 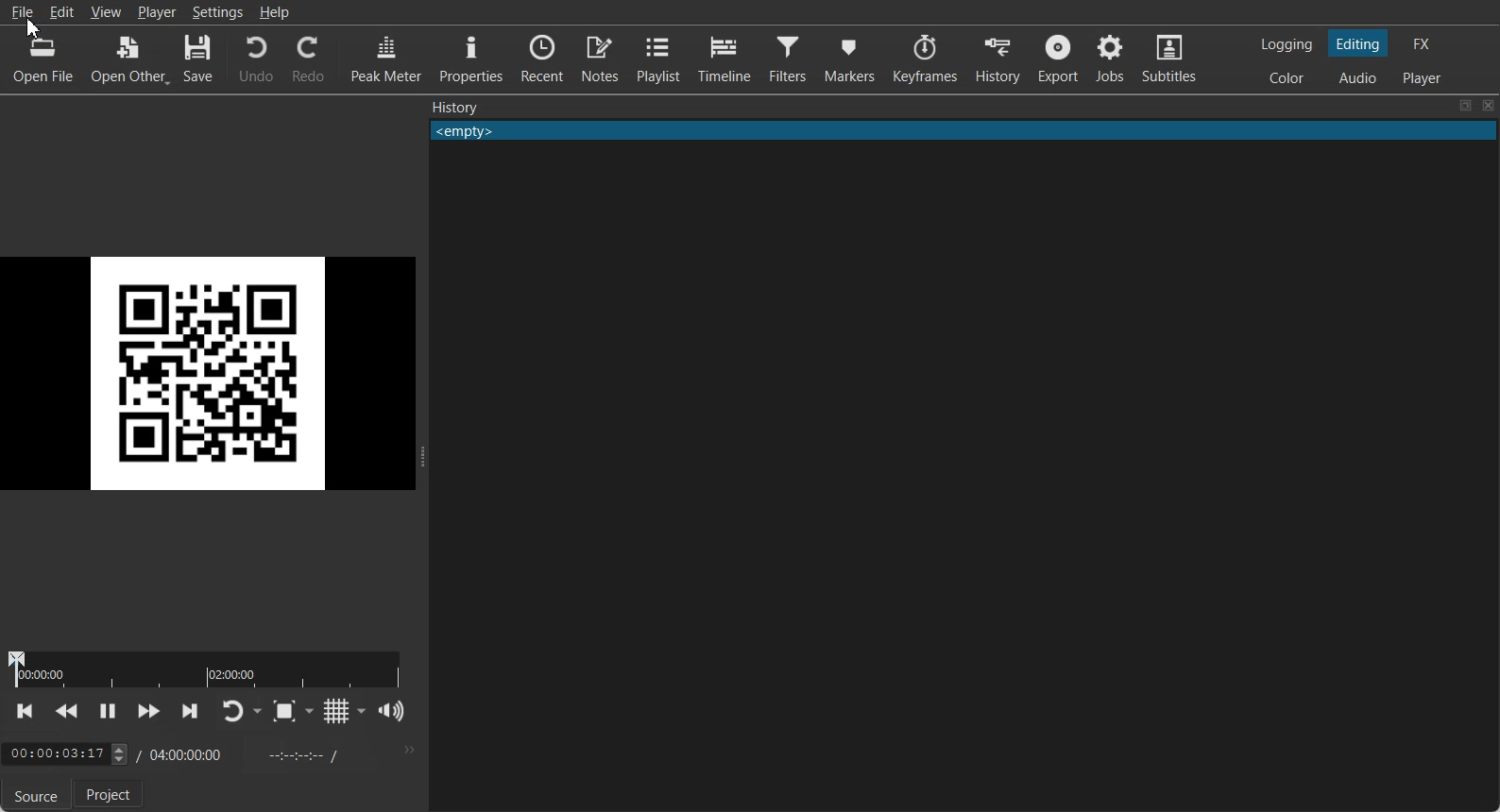 I want to click on Keyframes, so click(x=927, y=59).